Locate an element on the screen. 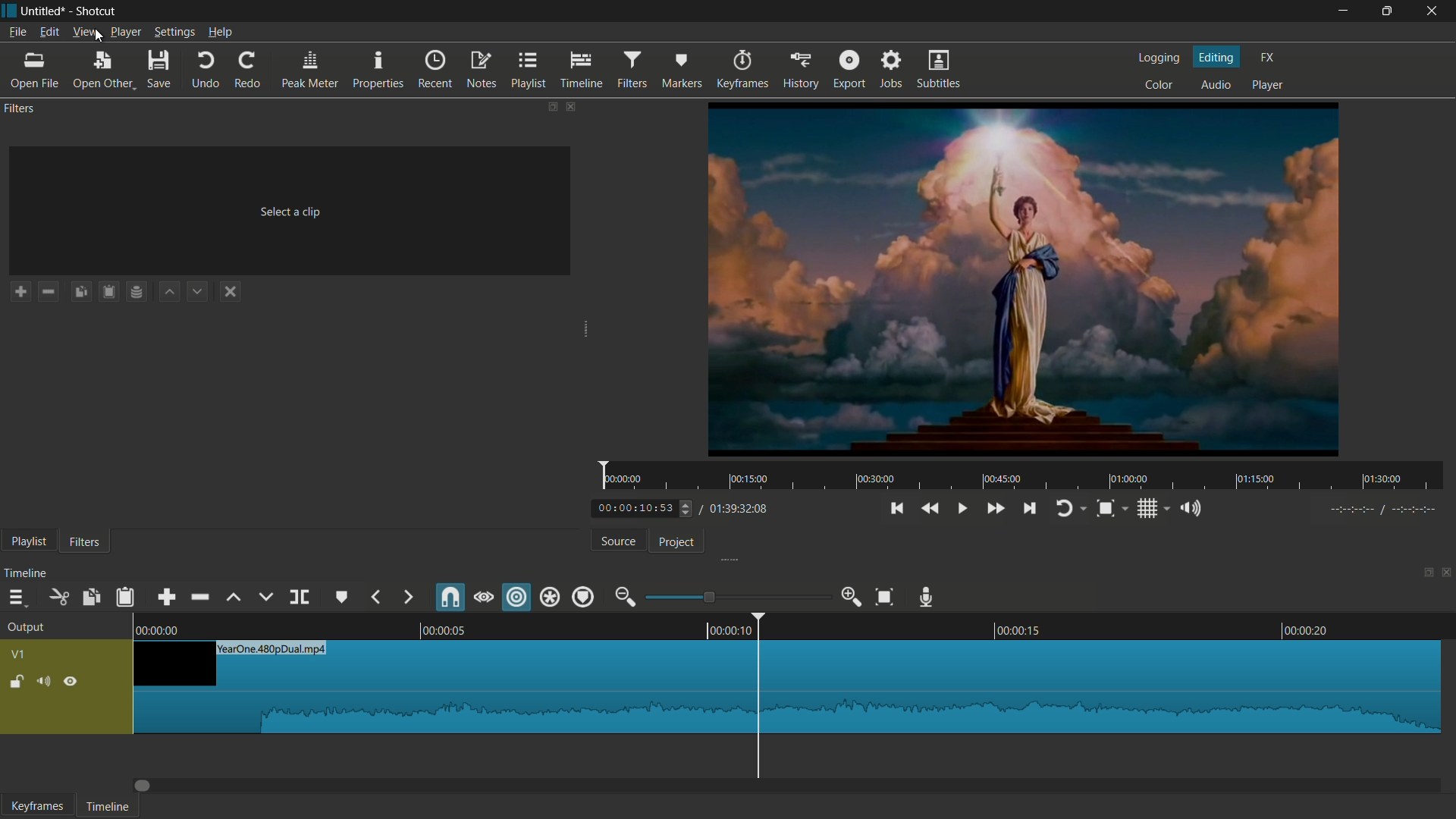  toggle player looping is located at coordinates (1065, 508).